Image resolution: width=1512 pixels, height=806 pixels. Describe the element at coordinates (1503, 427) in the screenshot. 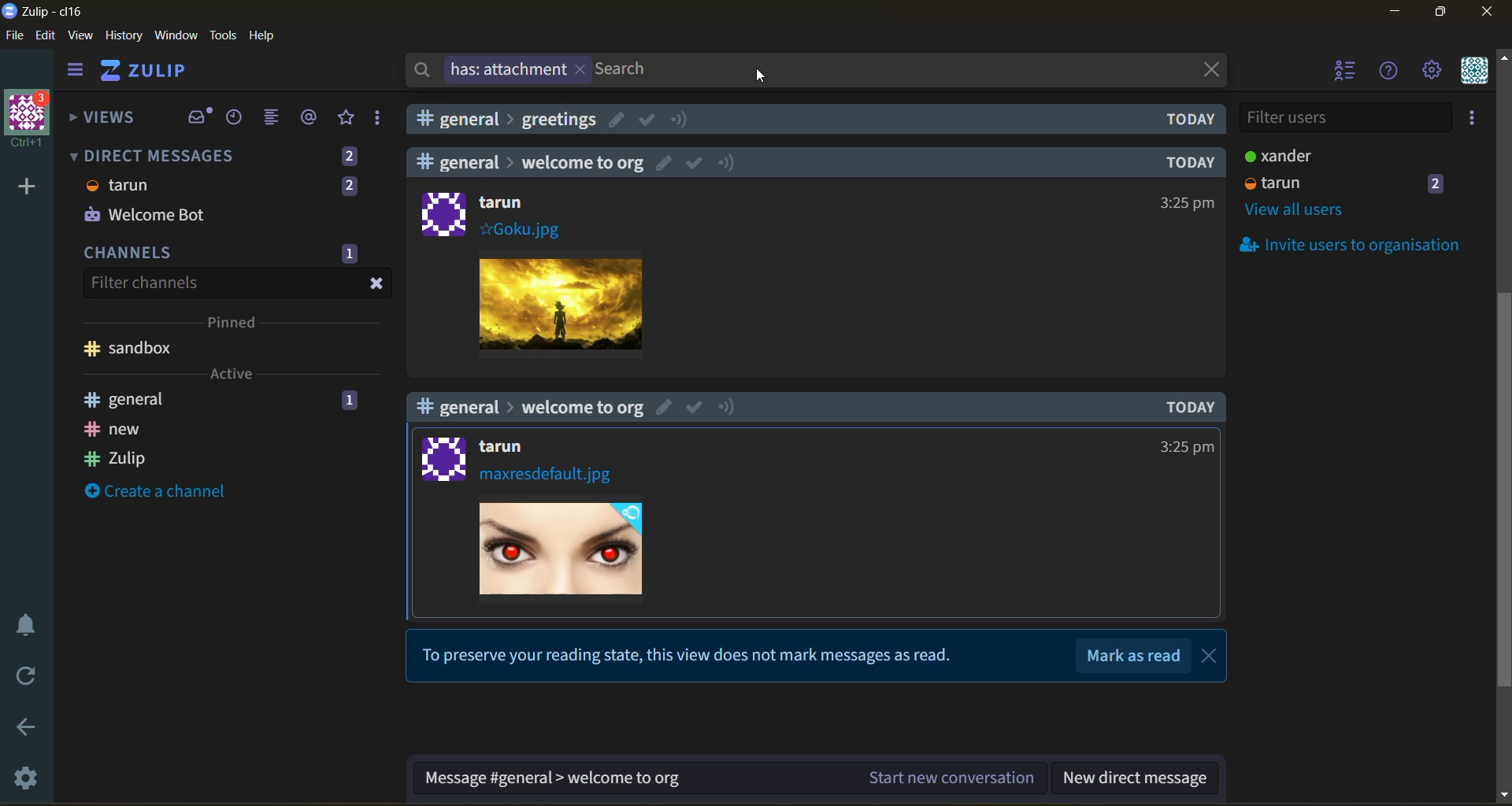

I see `scroll bar` at that location.